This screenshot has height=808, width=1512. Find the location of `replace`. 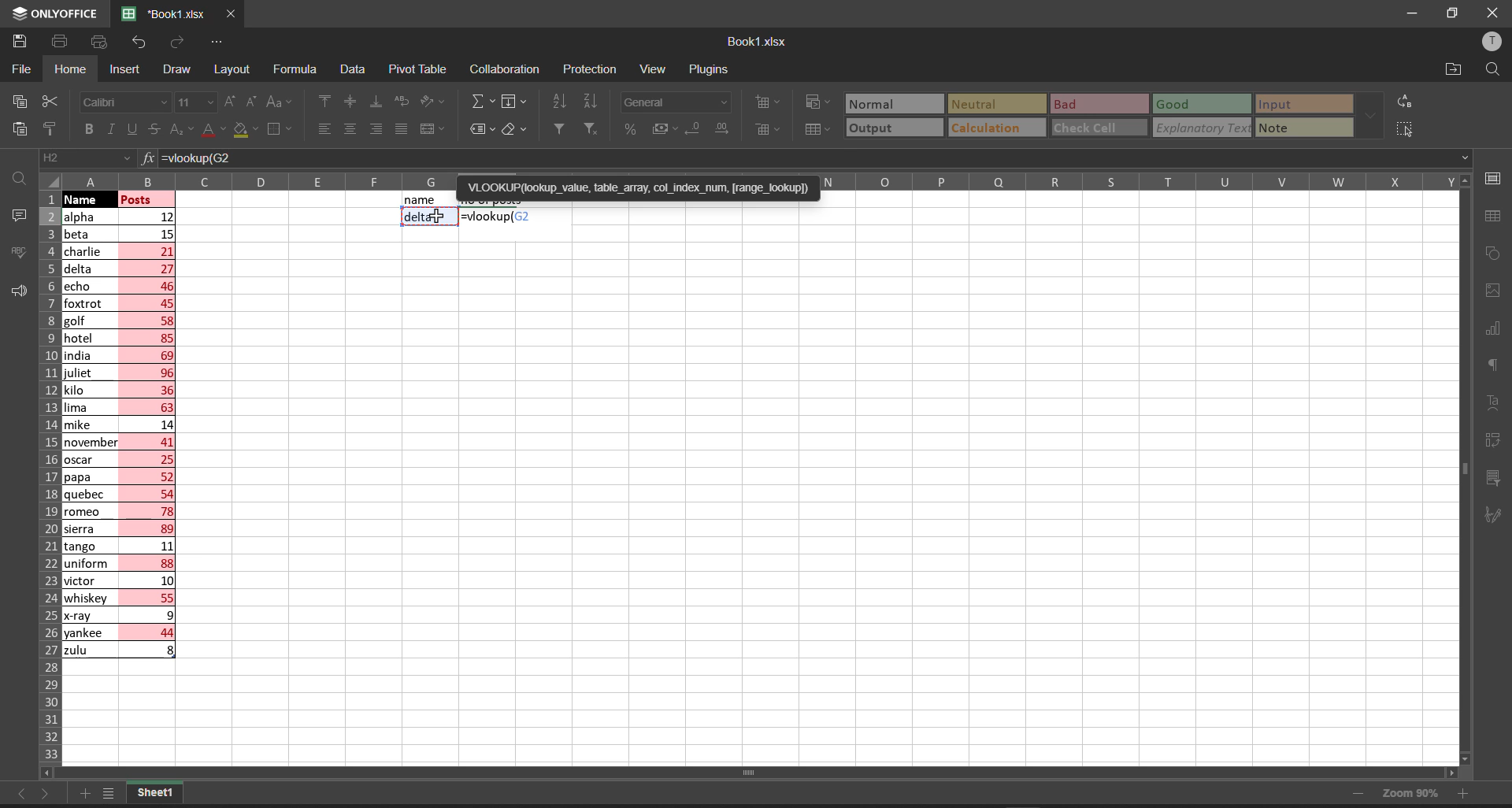

replace is located at coordinates (1406, 101).